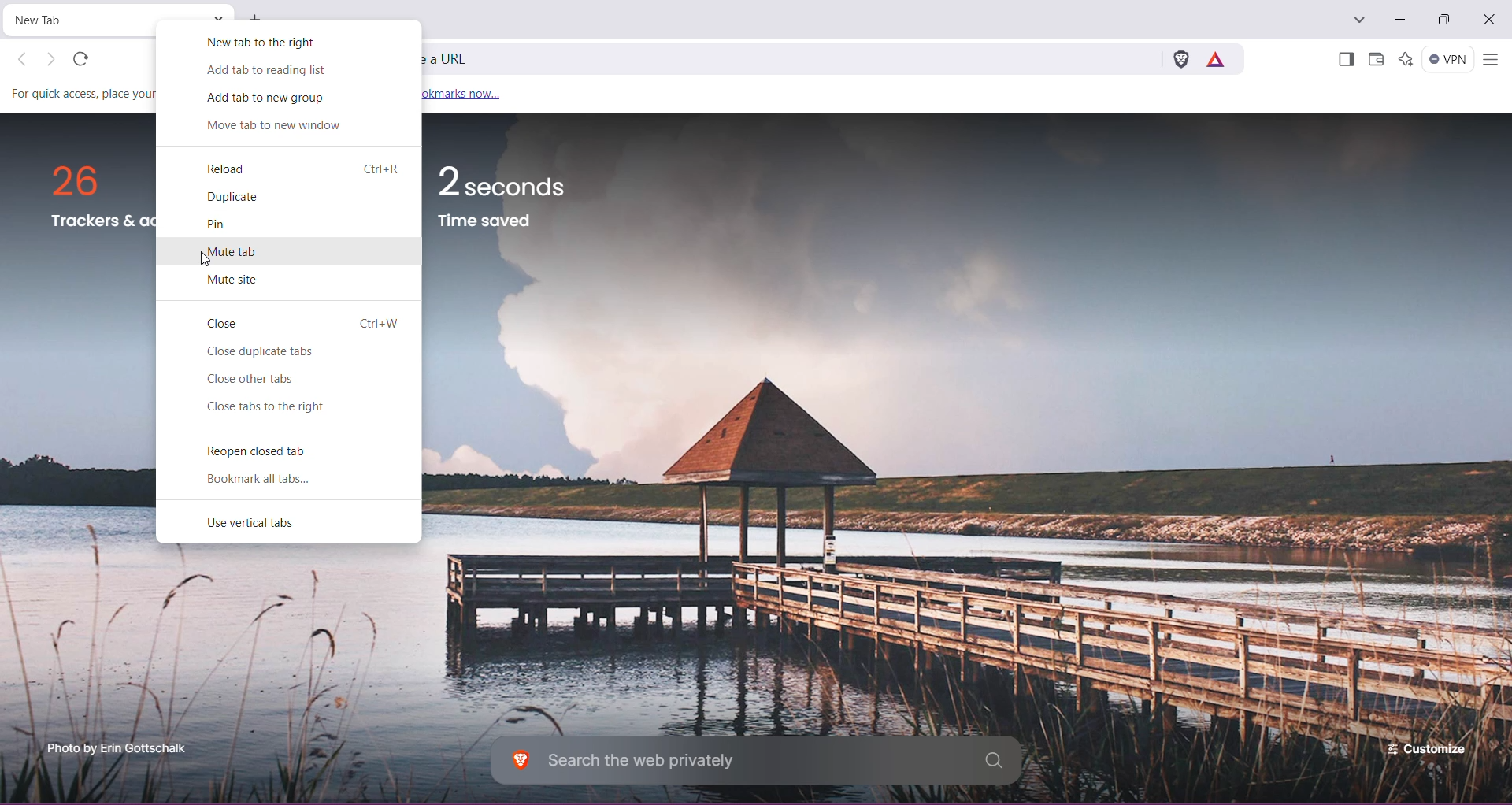 The image size is (1512, 805). Describe the element at coordinates (1398, 21) in the screenshot. I see `Minimize` at that location.